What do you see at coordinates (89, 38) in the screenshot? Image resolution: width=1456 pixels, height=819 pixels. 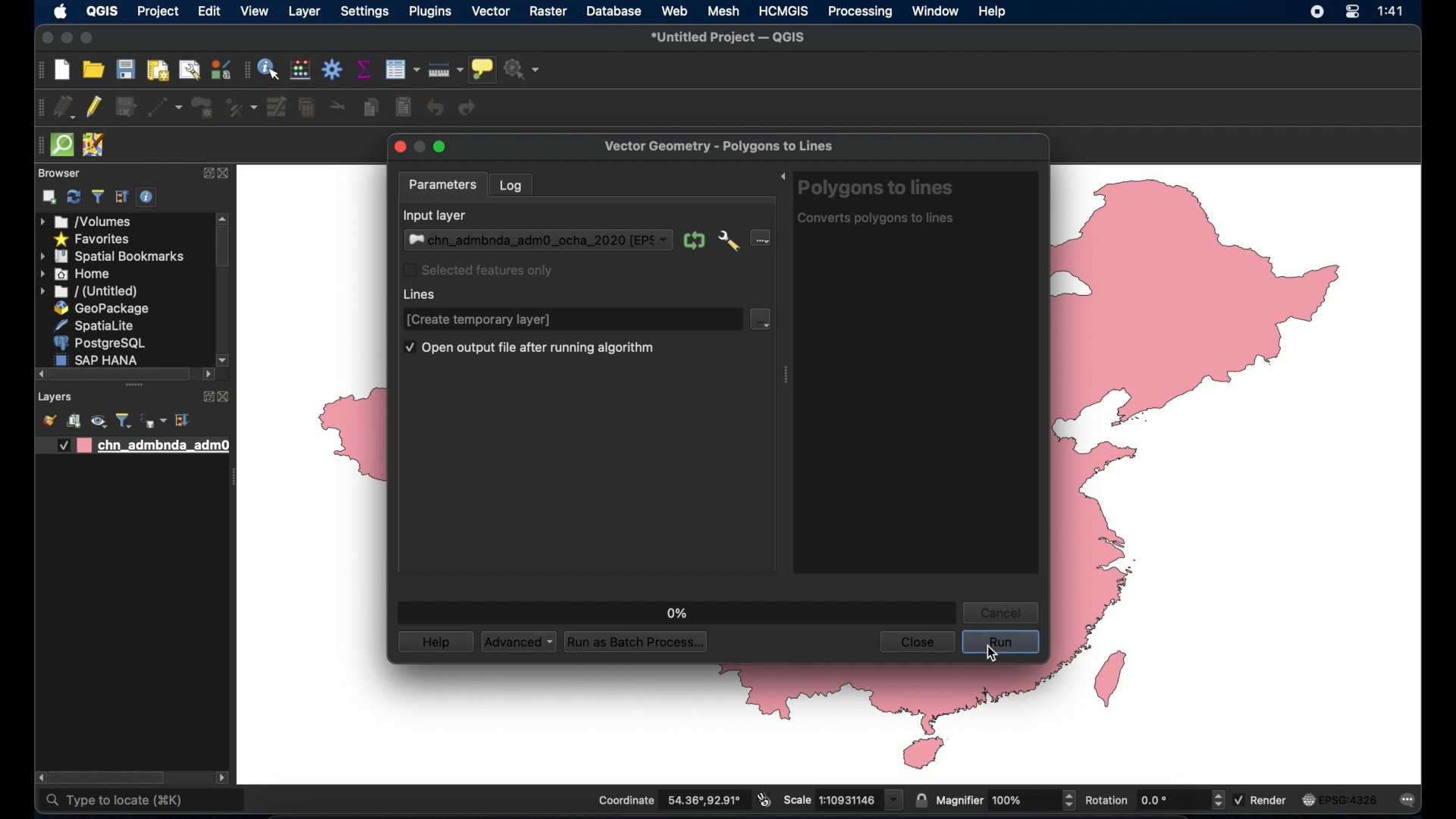 I see `maximize` at bounding box center [89, 38].